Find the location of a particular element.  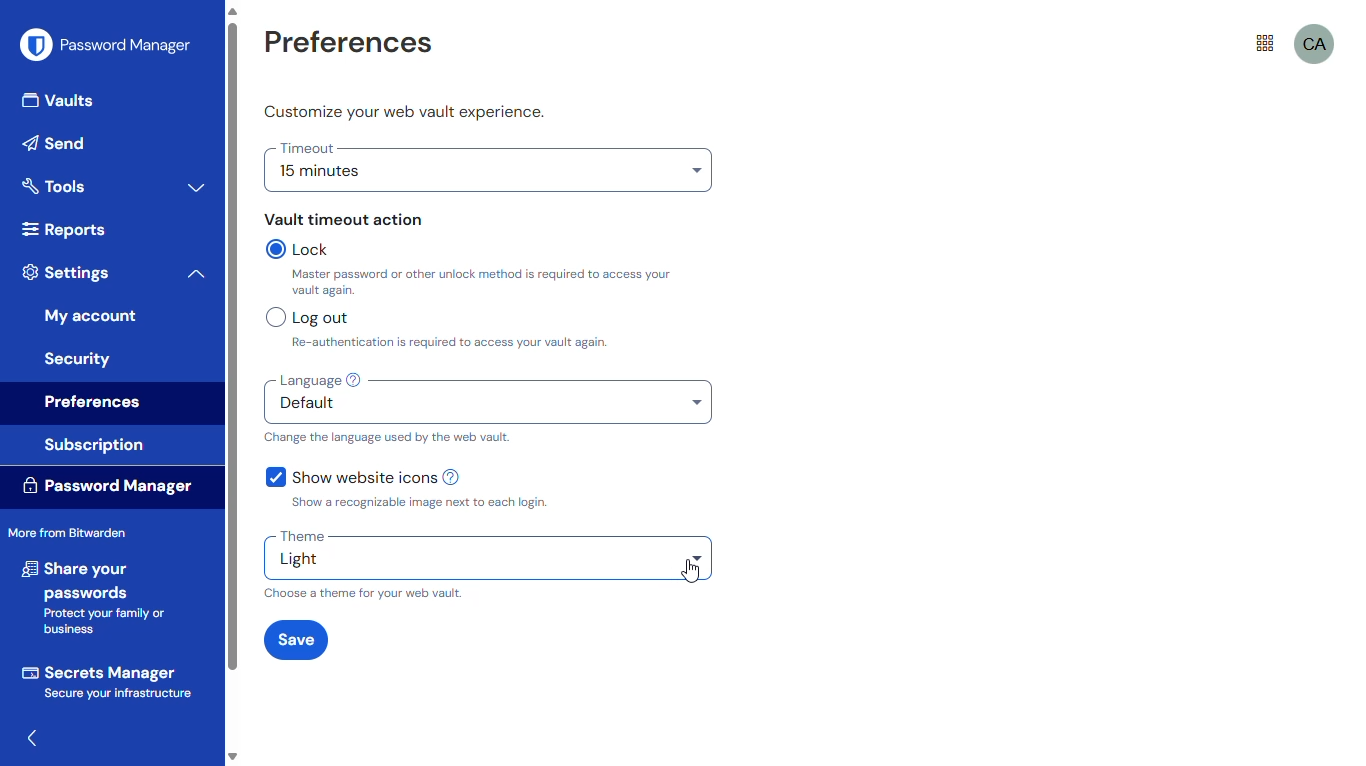

15 minutes is located at coordinates (488, 175).